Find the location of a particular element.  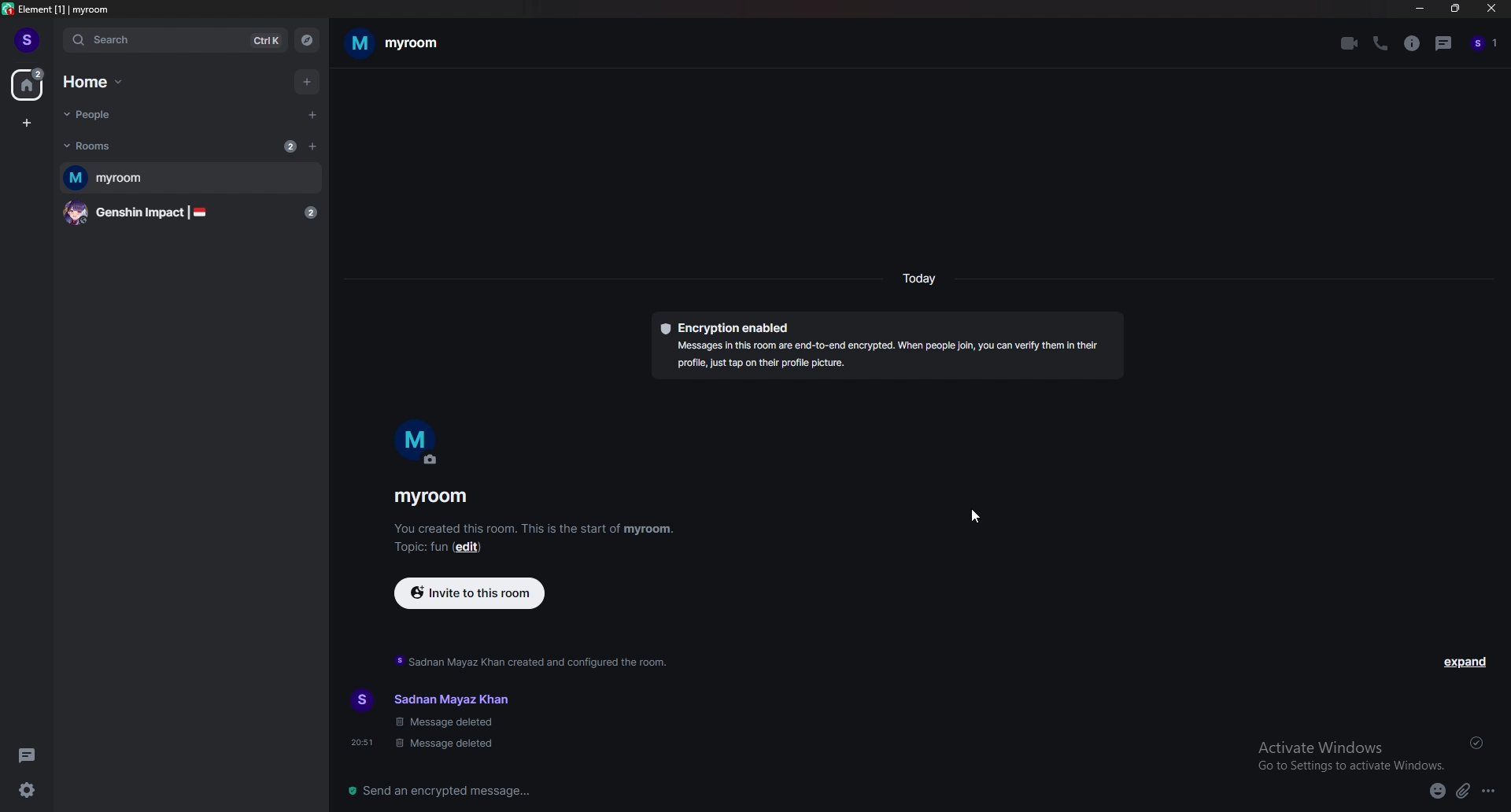

threads is located at coordinates (31, 755).